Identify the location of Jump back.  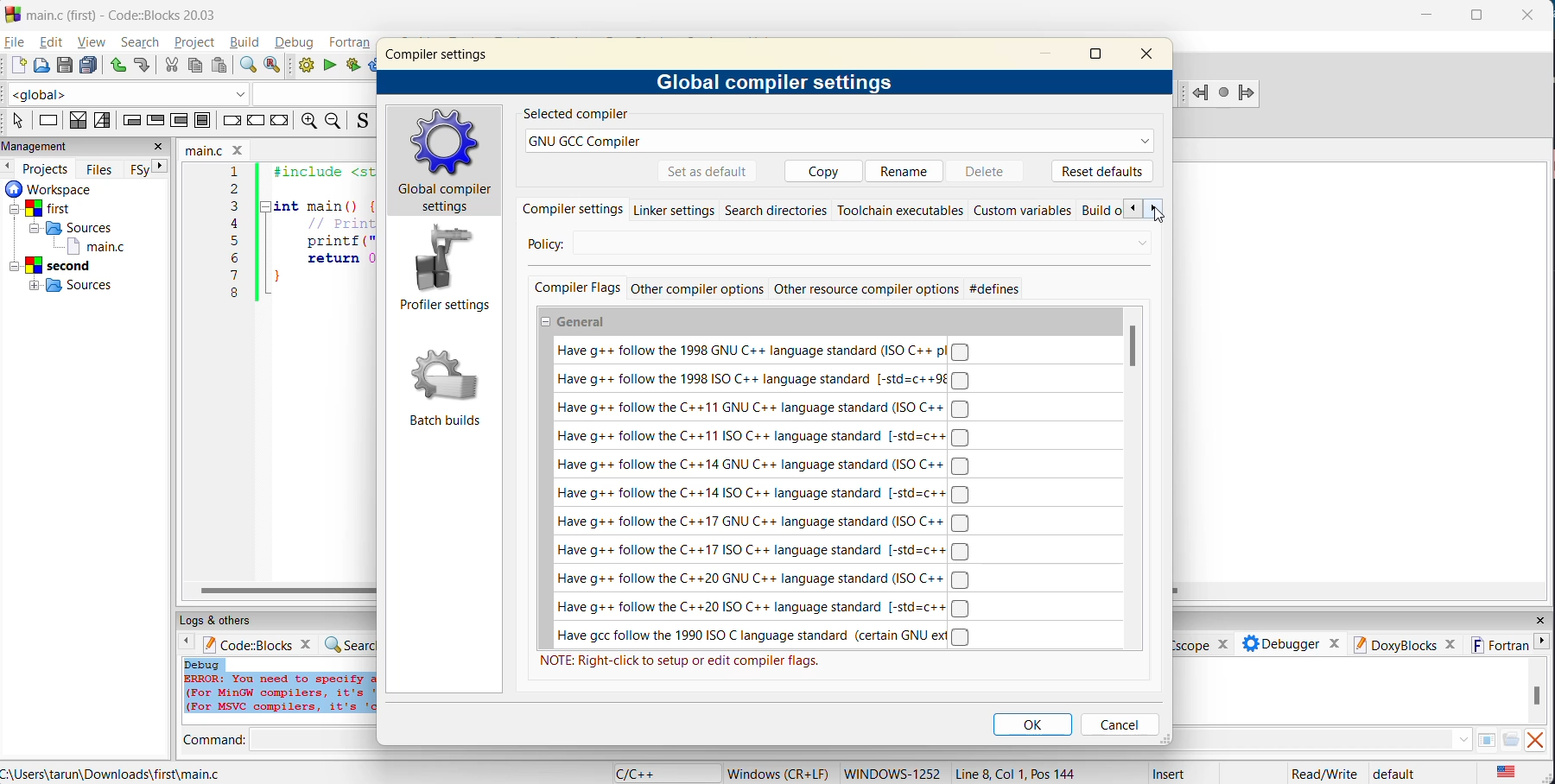
(1198, 93).